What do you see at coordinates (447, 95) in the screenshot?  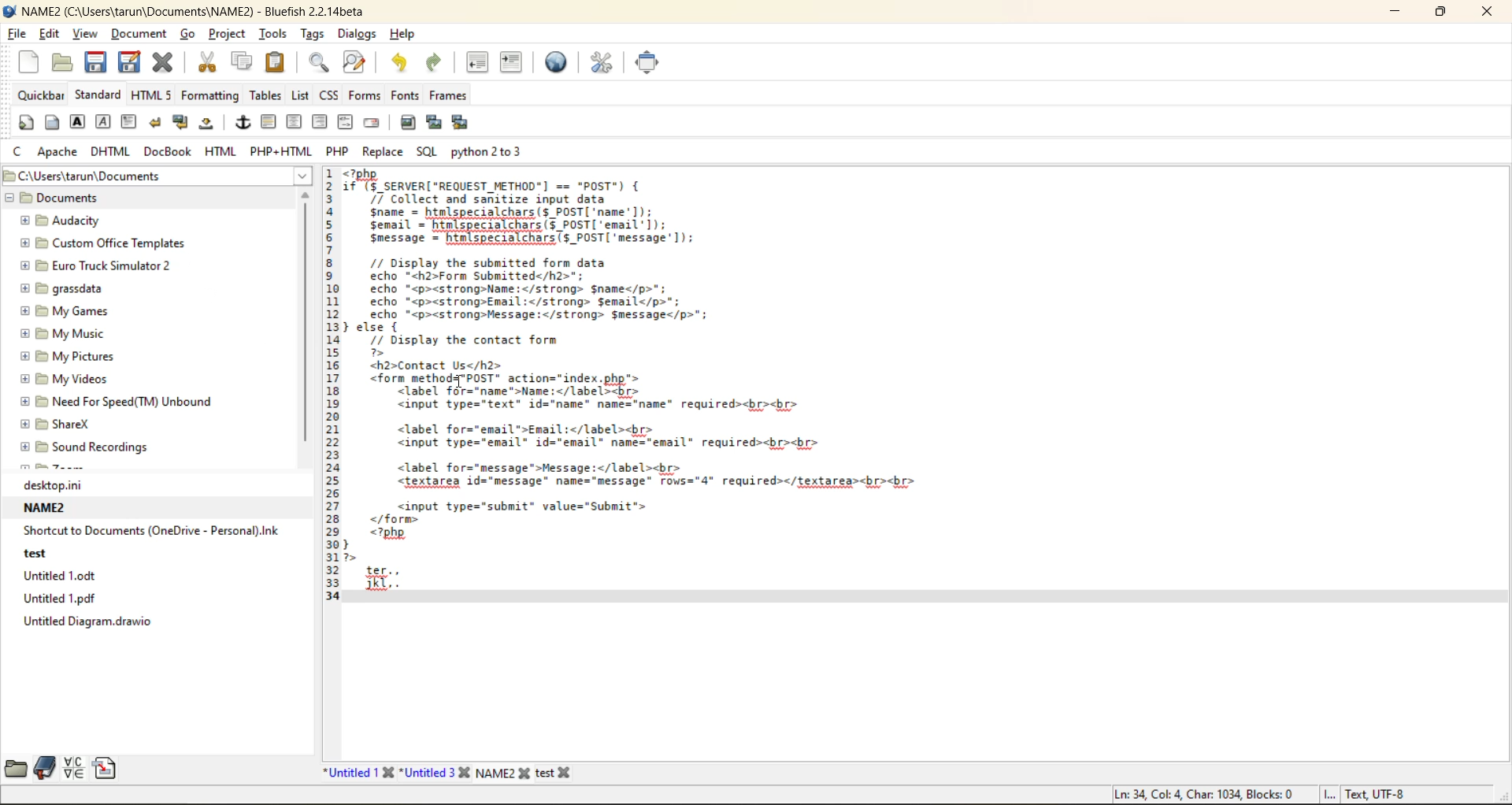 I see `frames` at bounding box center [447, 95].